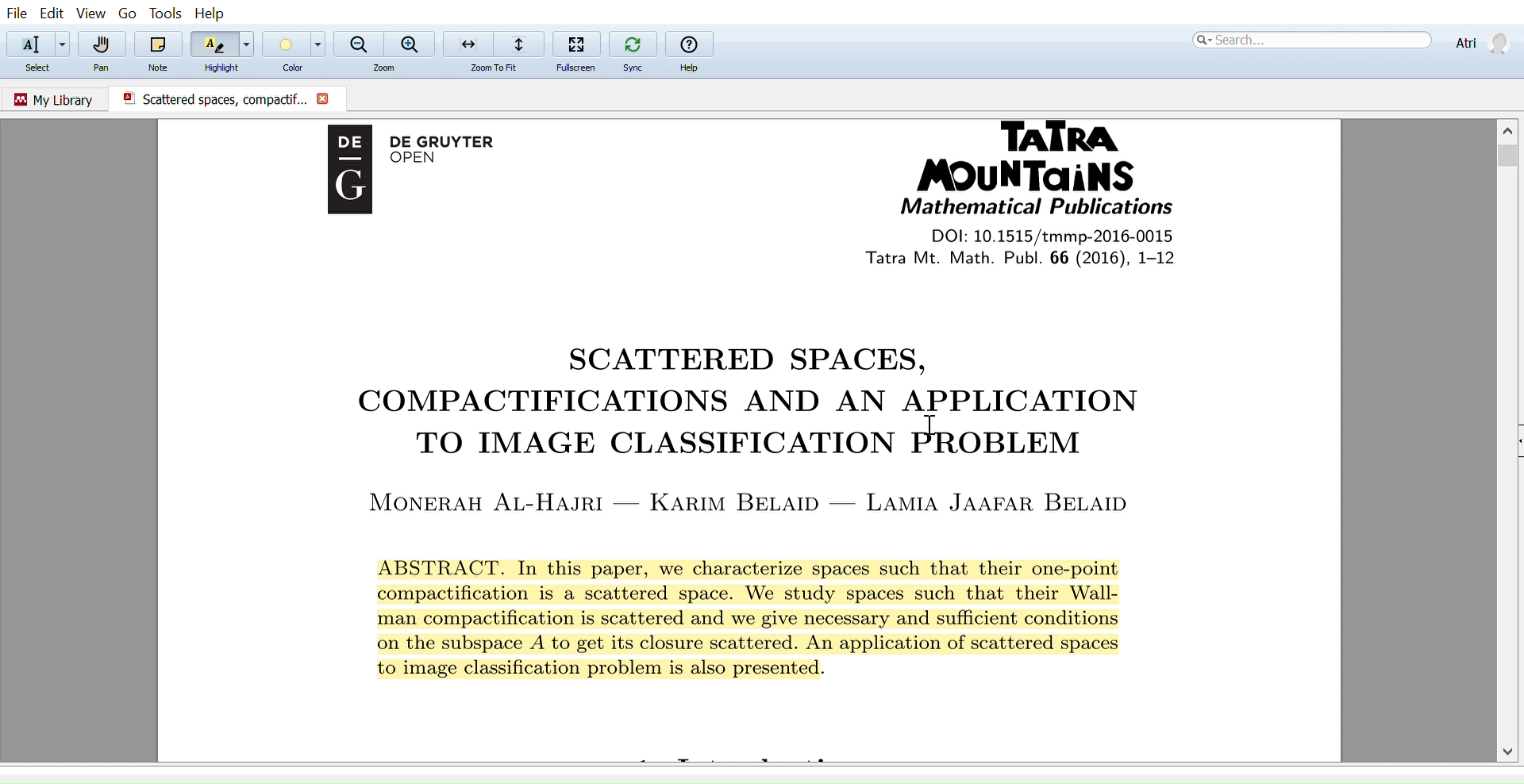 The image size is (1524, 784). Describe the element at coordinates (1480, 41) in the screenshot. I see `Profile` at that location.